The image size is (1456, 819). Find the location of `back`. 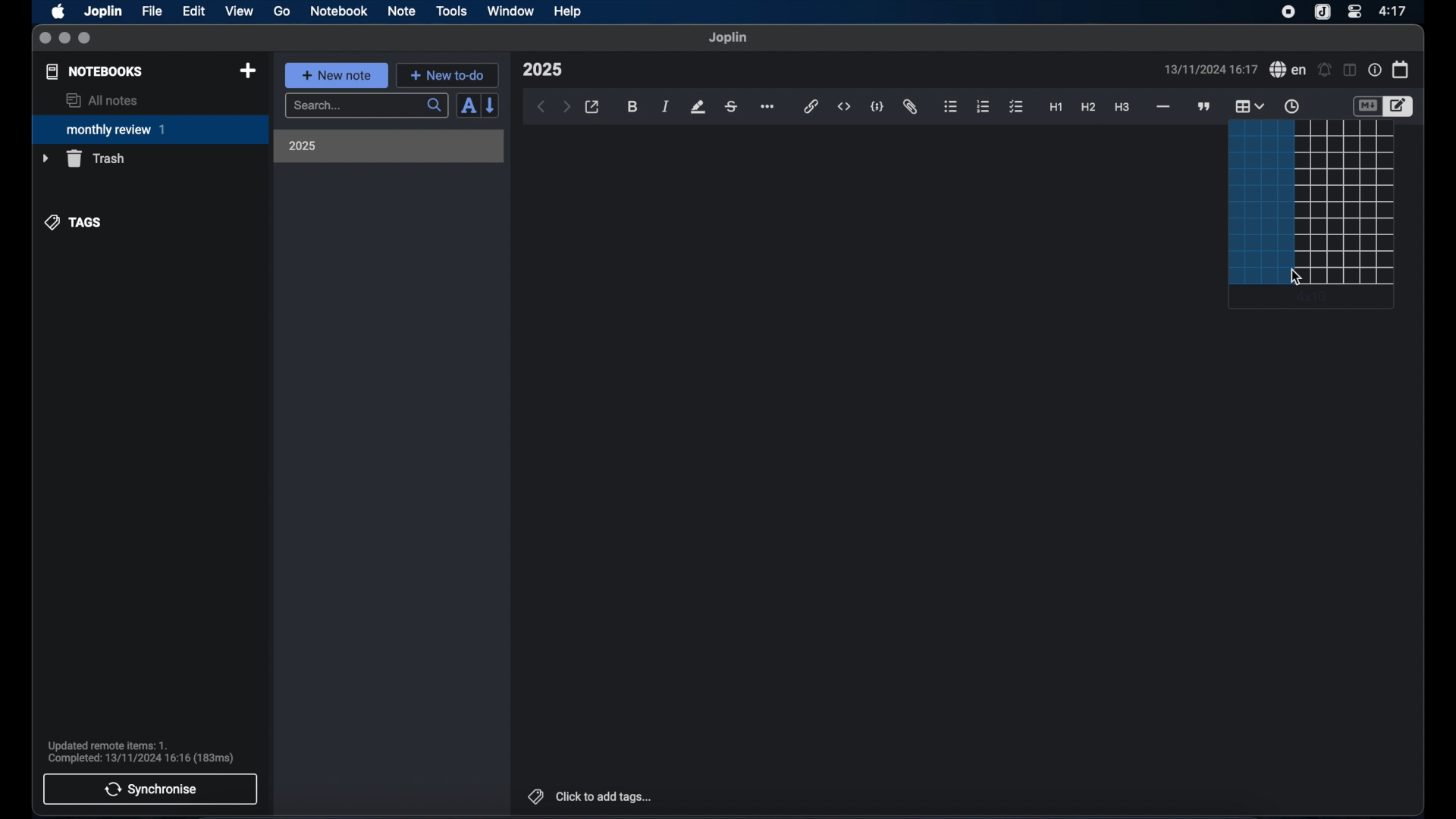

back is located at coordinates (541, 107).